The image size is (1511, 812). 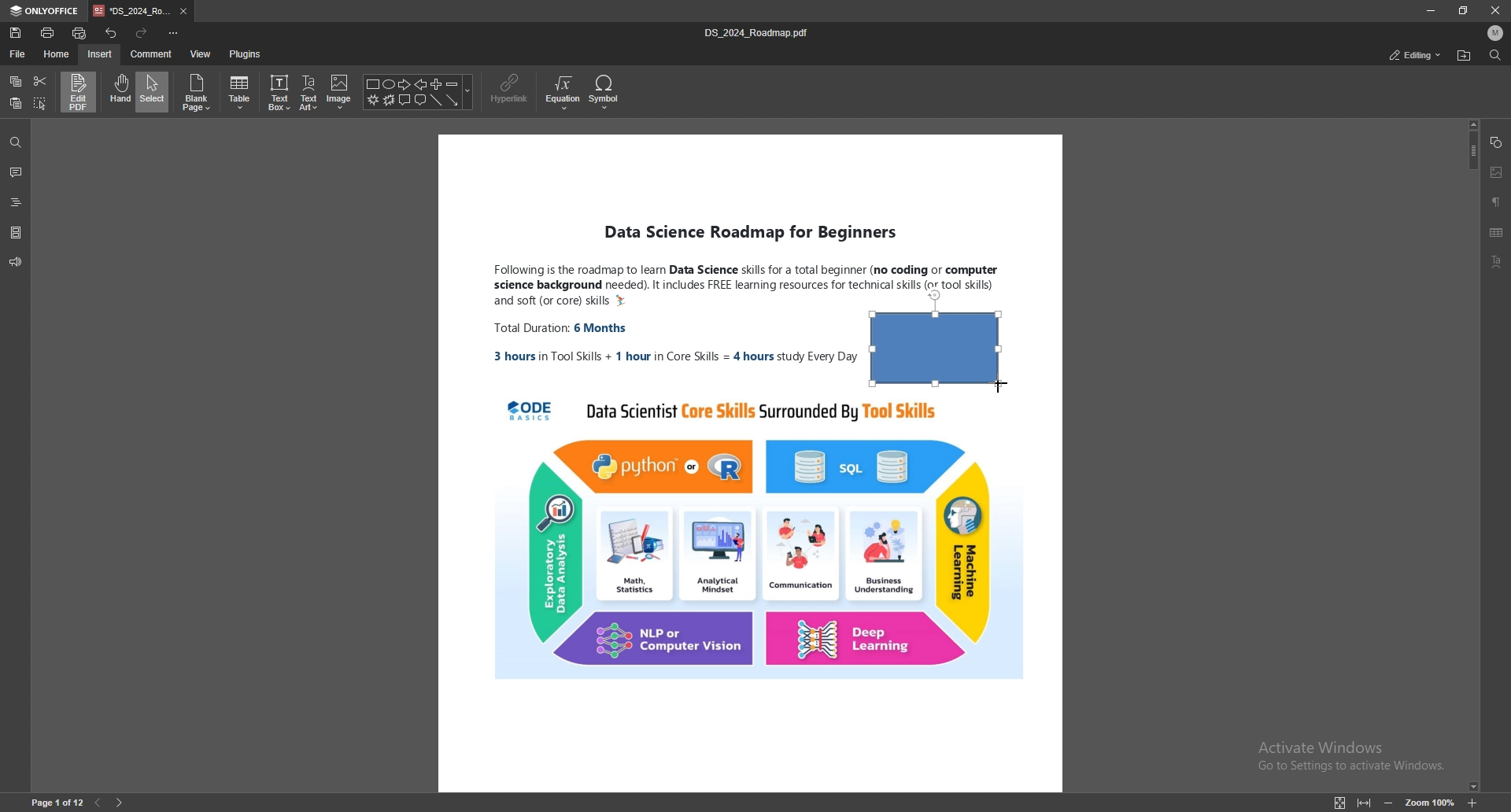 What do you see at coordinates (39, 80) in the screenshot?
I see `cut` at bounding box center [39, 80].